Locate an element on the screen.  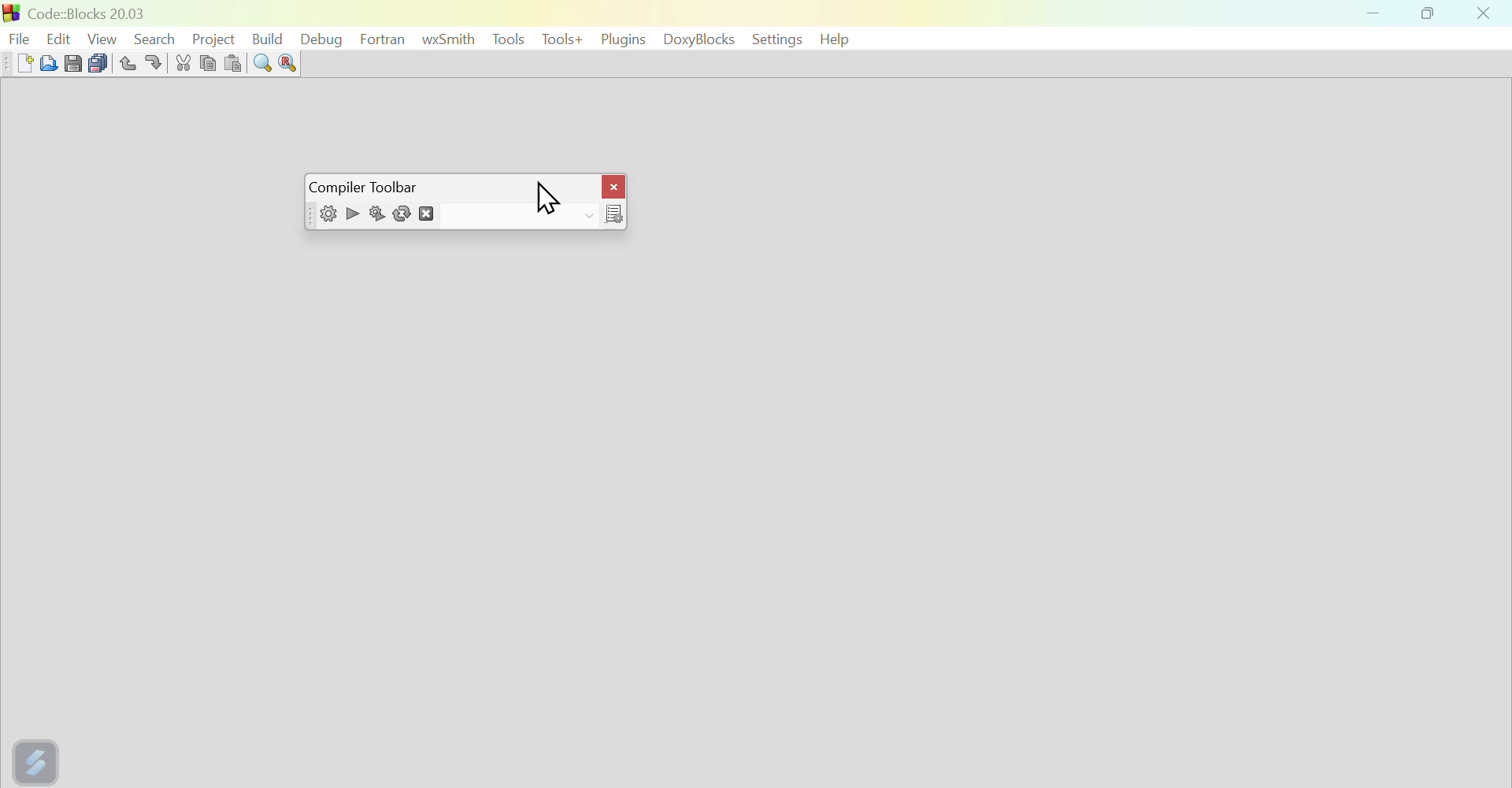
Compile toolbar is located at coordinates (371, 186).